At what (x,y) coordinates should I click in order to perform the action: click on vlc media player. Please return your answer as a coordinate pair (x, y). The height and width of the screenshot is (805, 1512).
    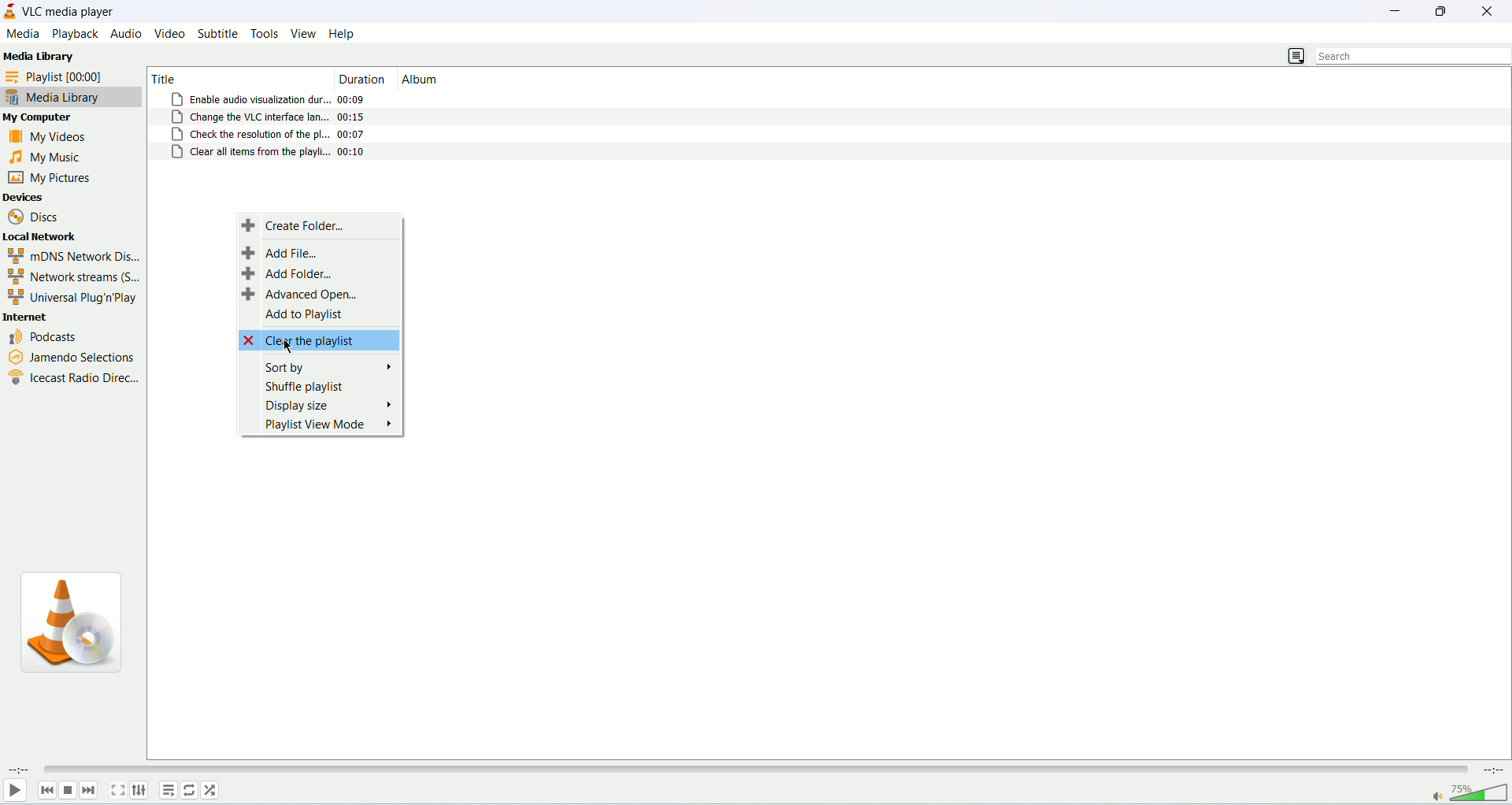
    Looking at the image, I should click on (70, 11).